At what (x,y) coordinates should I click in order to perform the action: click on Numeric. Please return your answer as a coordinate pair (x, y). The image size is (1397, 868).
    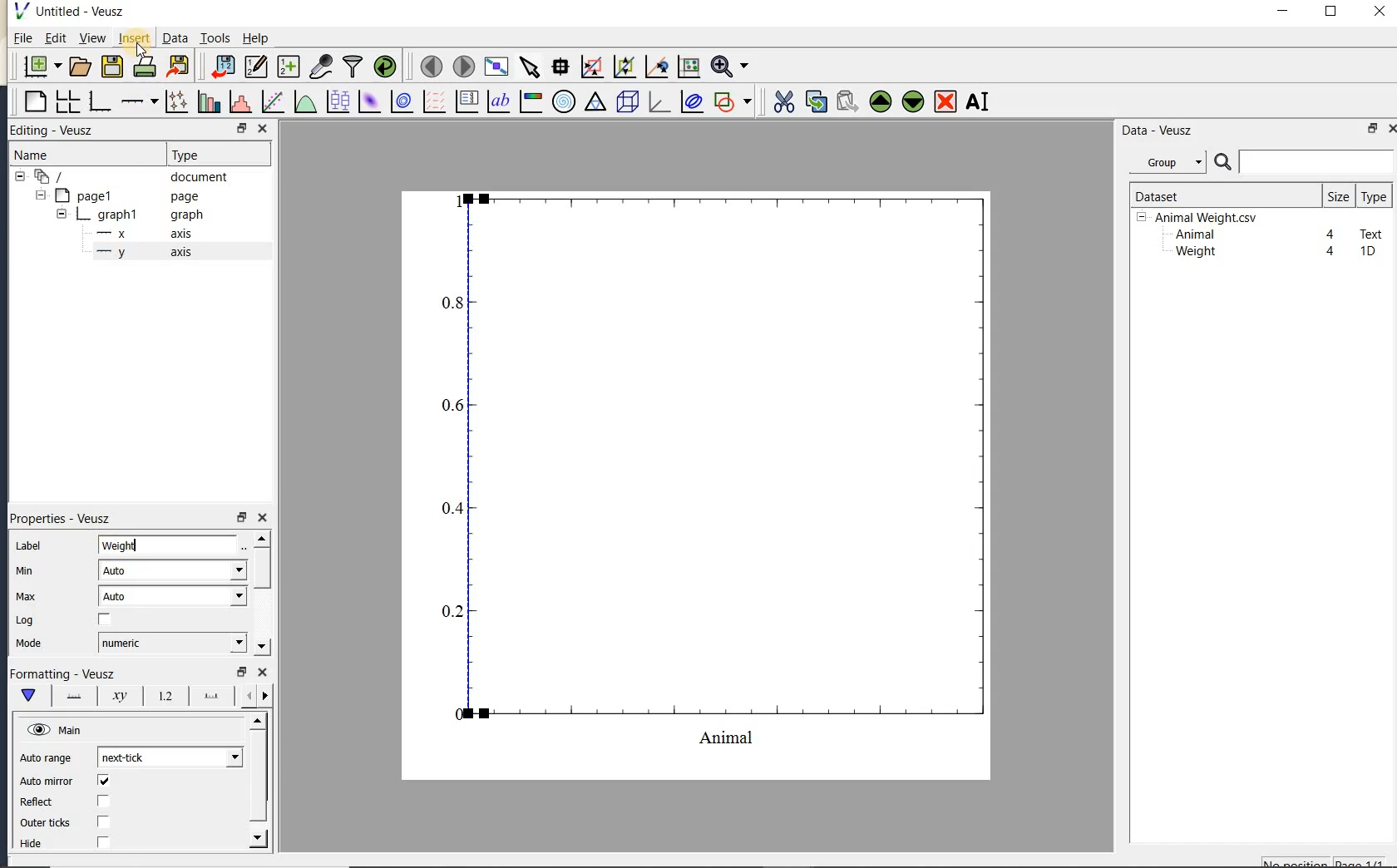
    Looking at the image, I should click on (171, 643).